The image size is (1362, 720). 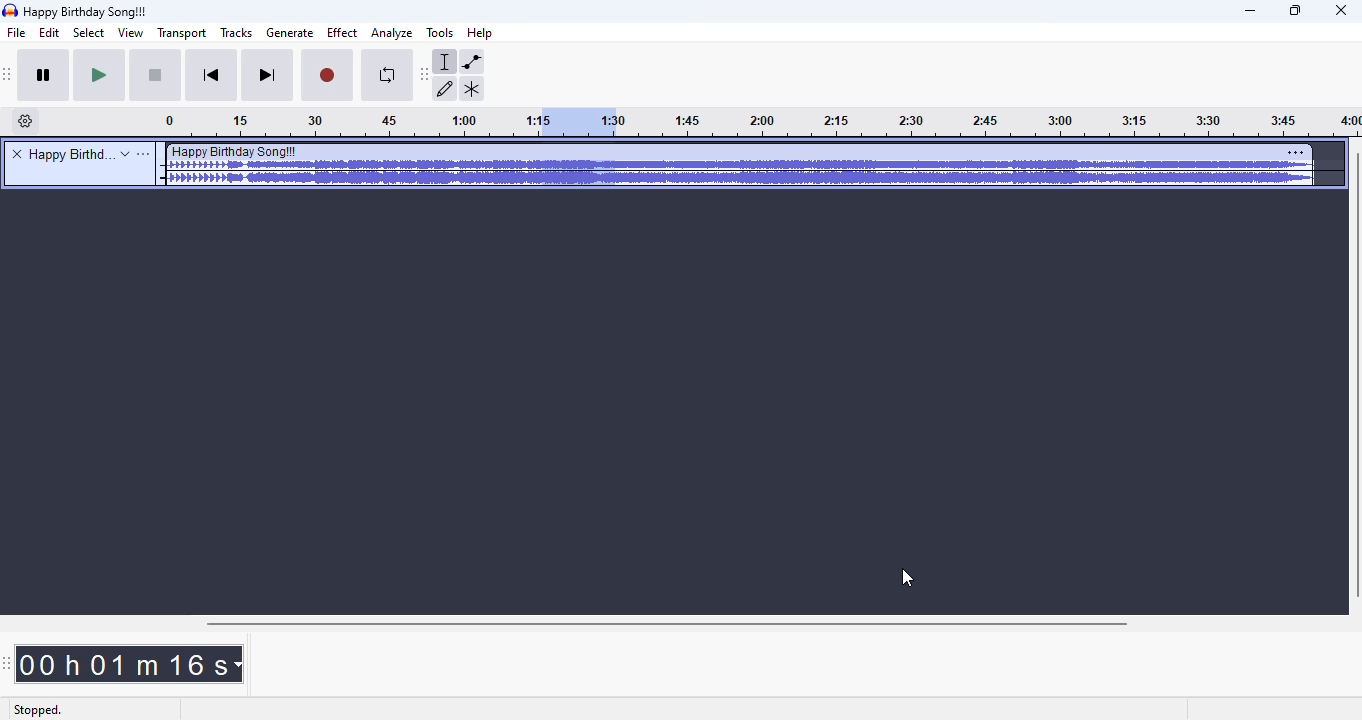 I want to click on effect, so click(x=342, y=33).